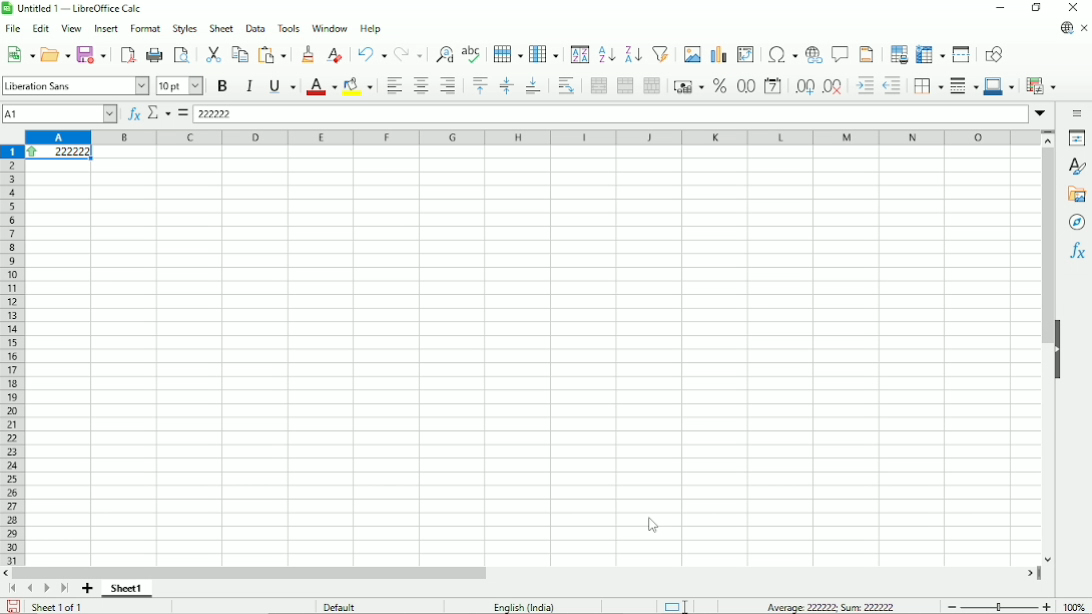  Describe the element at coordinates (40, 30) in the screenshot. I see `Edit` at that location.